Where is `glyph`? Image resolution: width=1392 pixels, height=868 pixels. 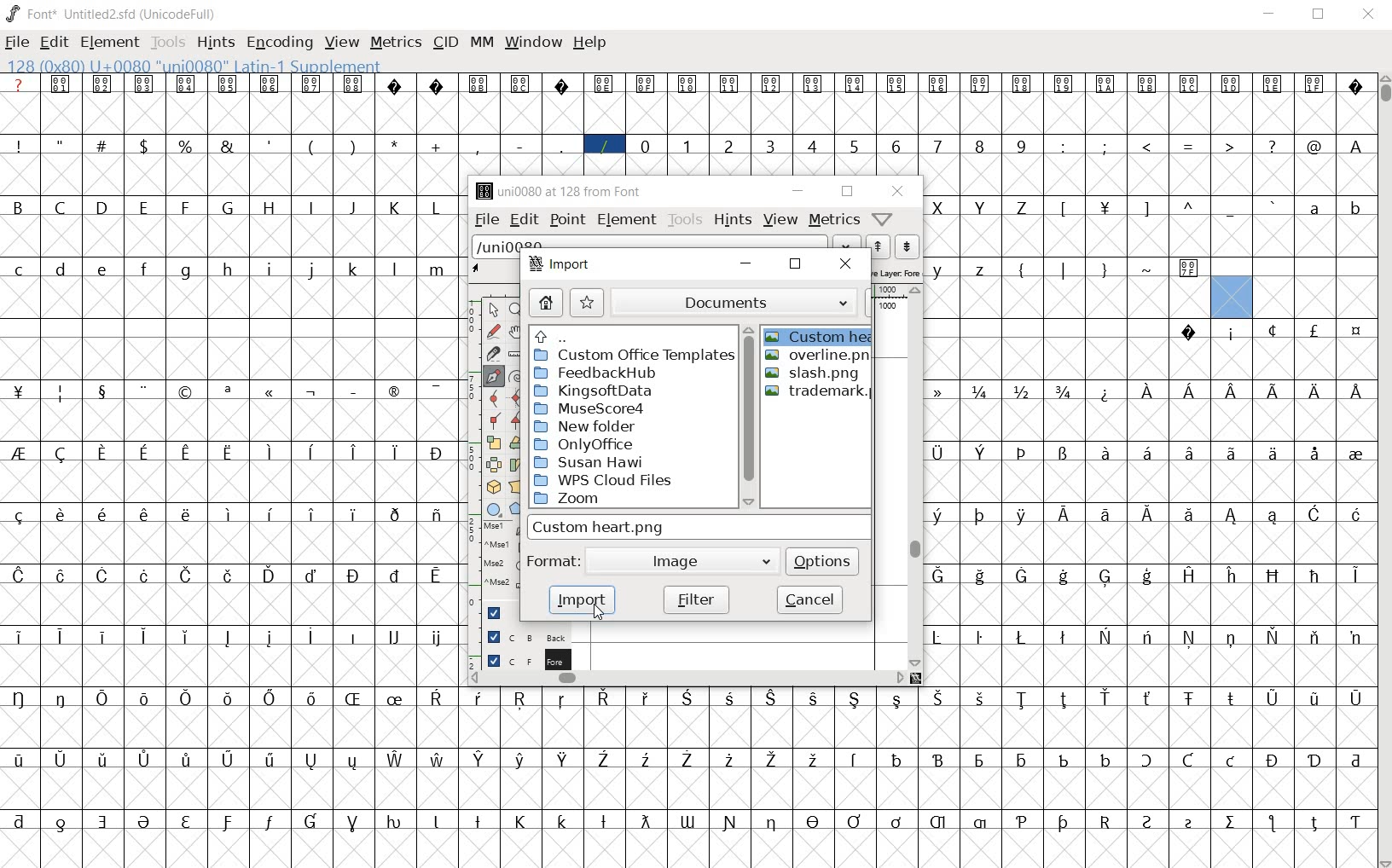
glyph is located at coordinates (1145, 760).